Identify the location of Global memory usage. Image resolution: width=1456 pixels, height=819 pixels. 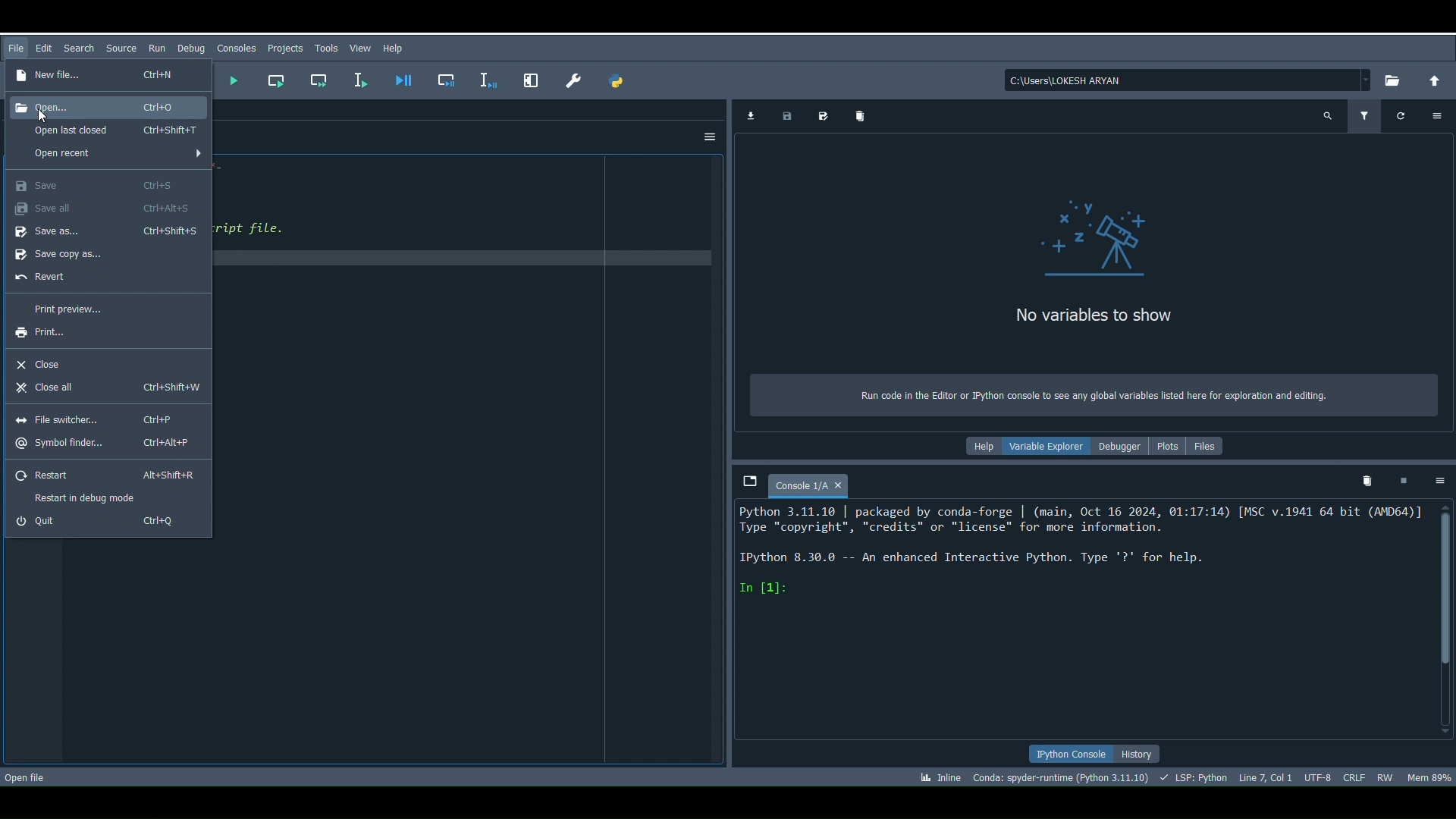
(1425, 779).